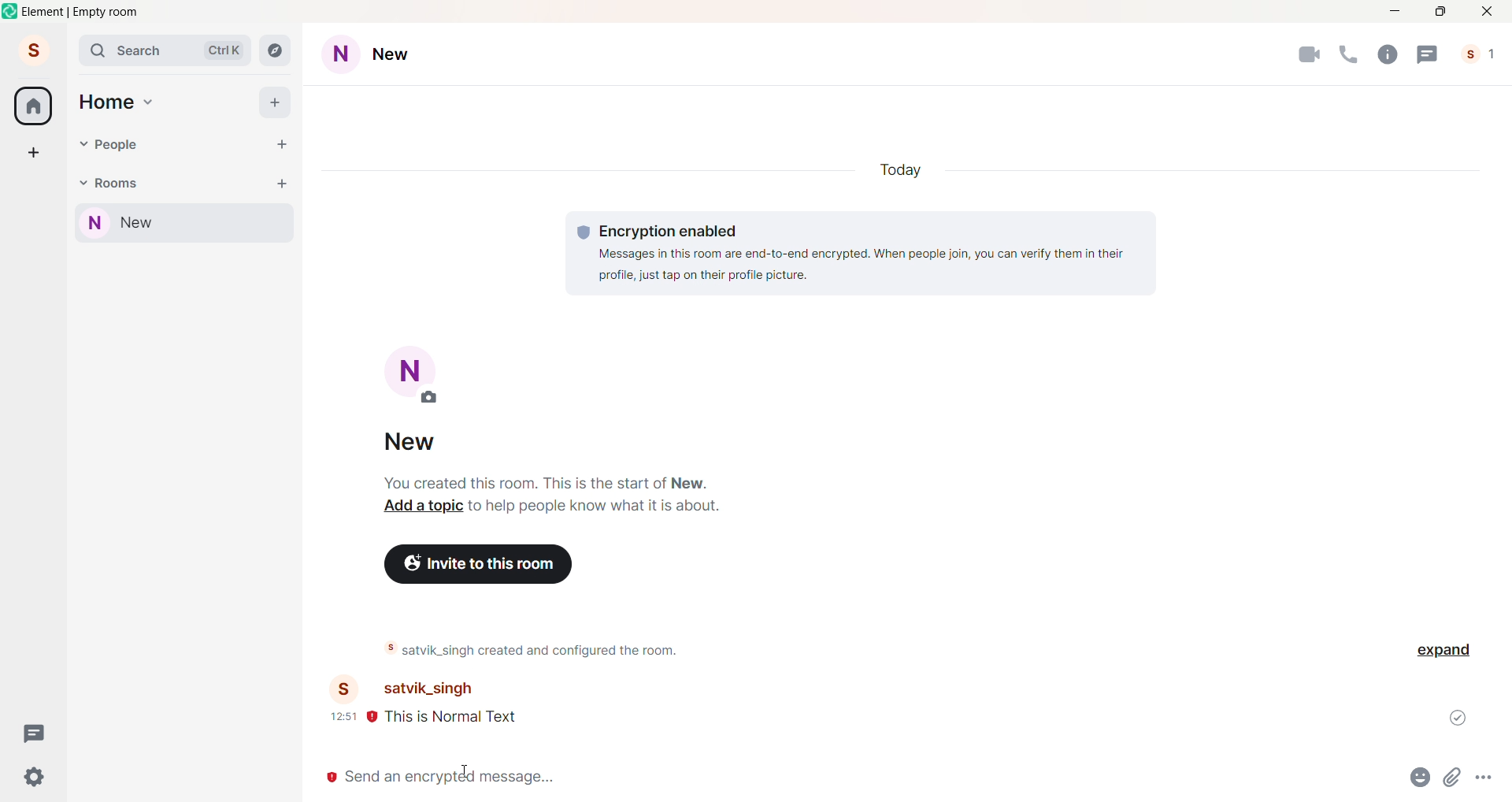  What do you see at coordinates (558, 650) in the screenshot?
I see `satvik_singh created and configured the room.` at bounding box center [558, 650].